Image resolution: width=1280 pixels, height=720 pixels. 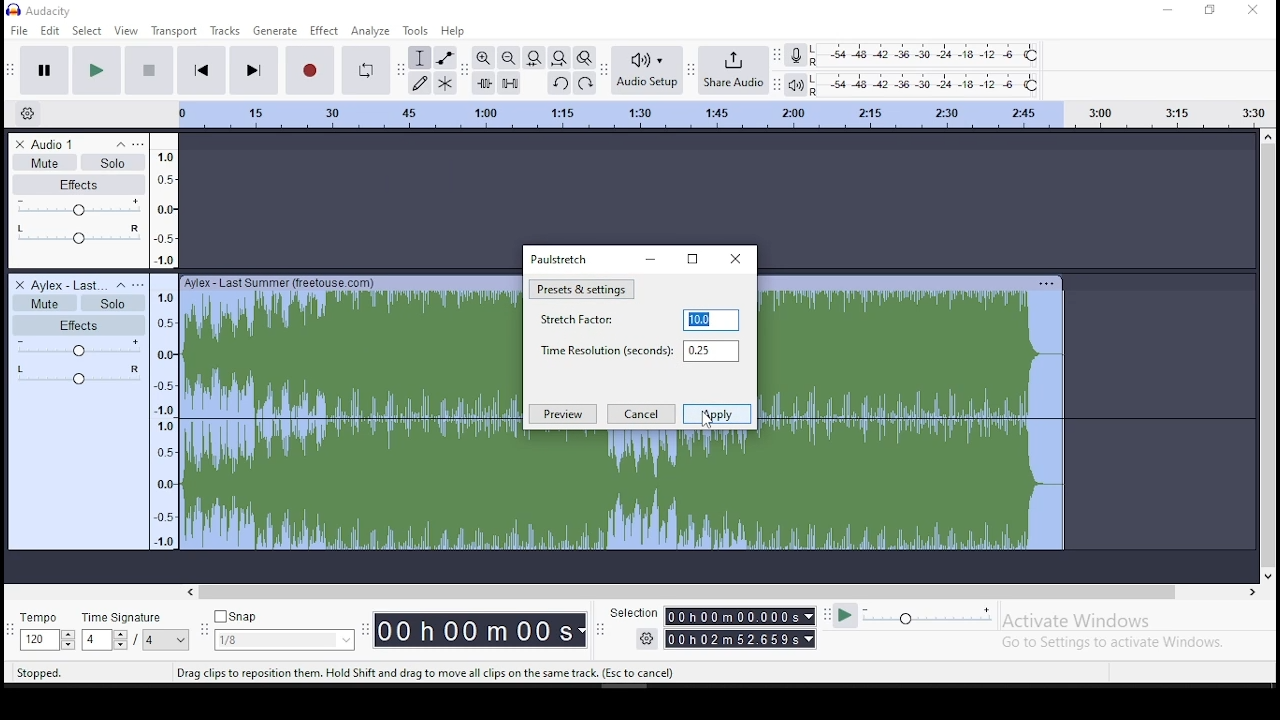 What do you see at coordinates (647, 69) in the screenshot?
I see `audio setup` at bounding box center [647, 69].